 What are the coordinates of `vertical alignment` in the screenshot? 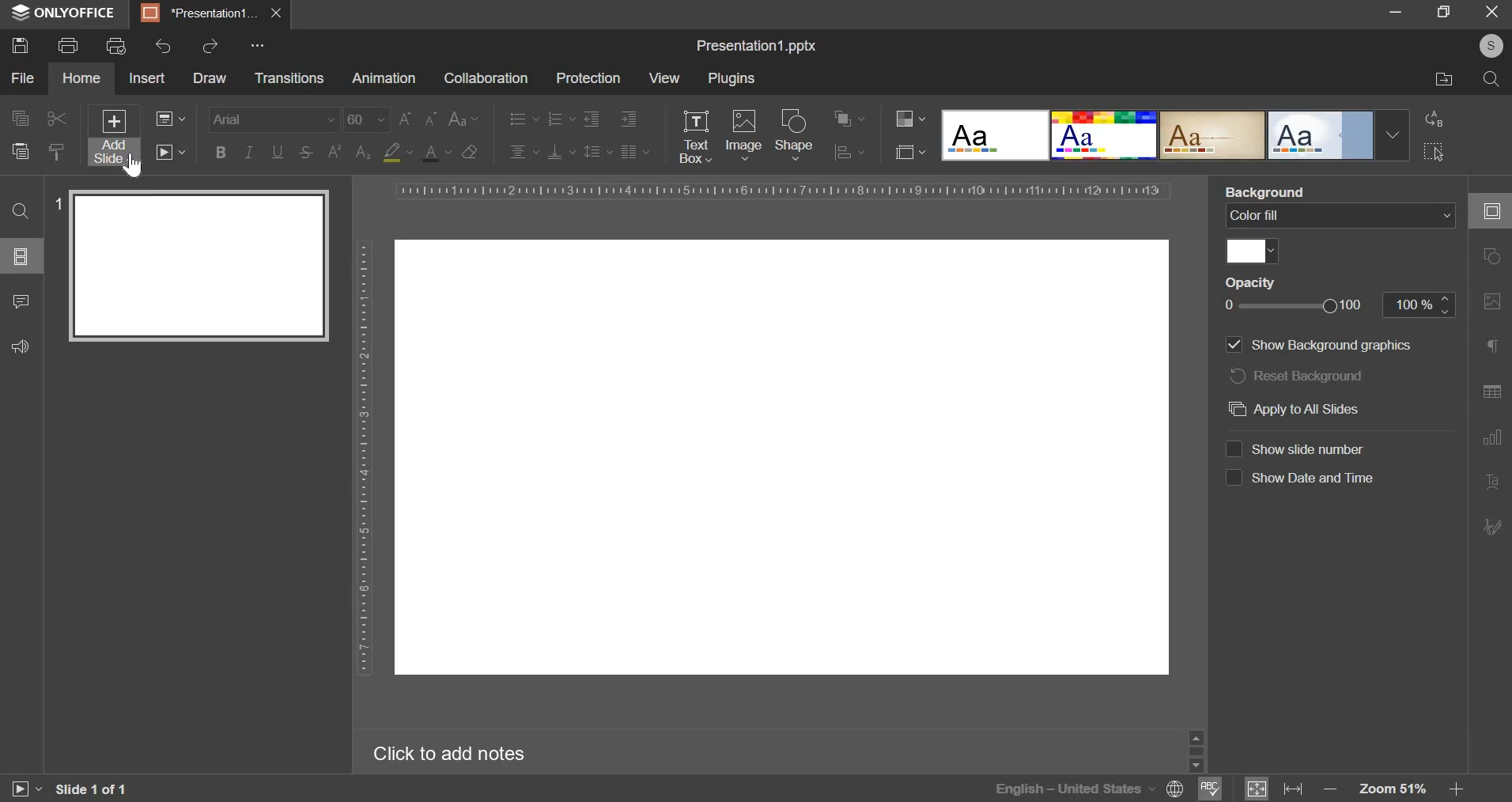 It's located at (562, 151).